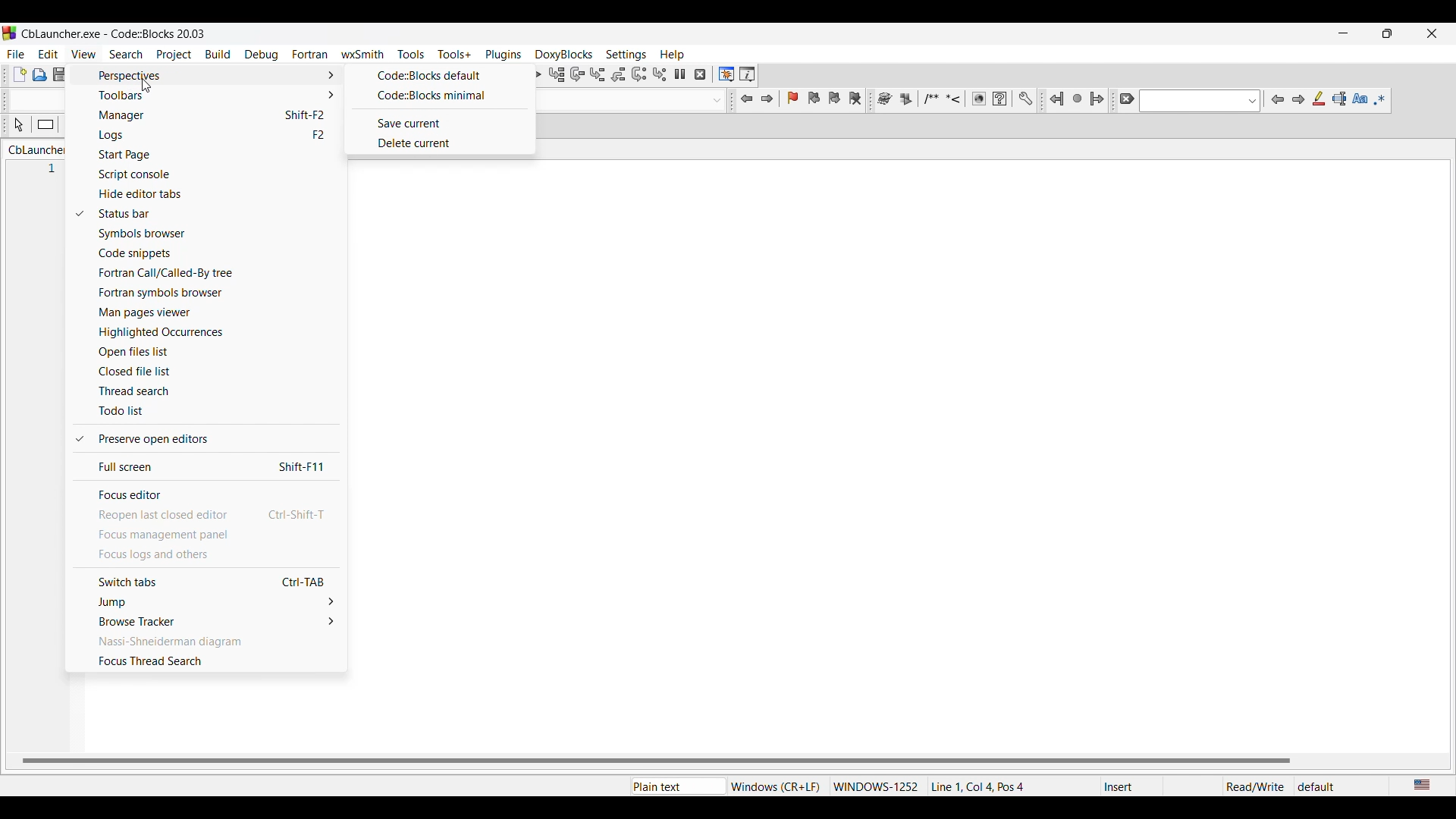 The image size is (1456, 819). Describe the element at coordinates (748, 99) in the screenshot. I see `Jump back` at that location.